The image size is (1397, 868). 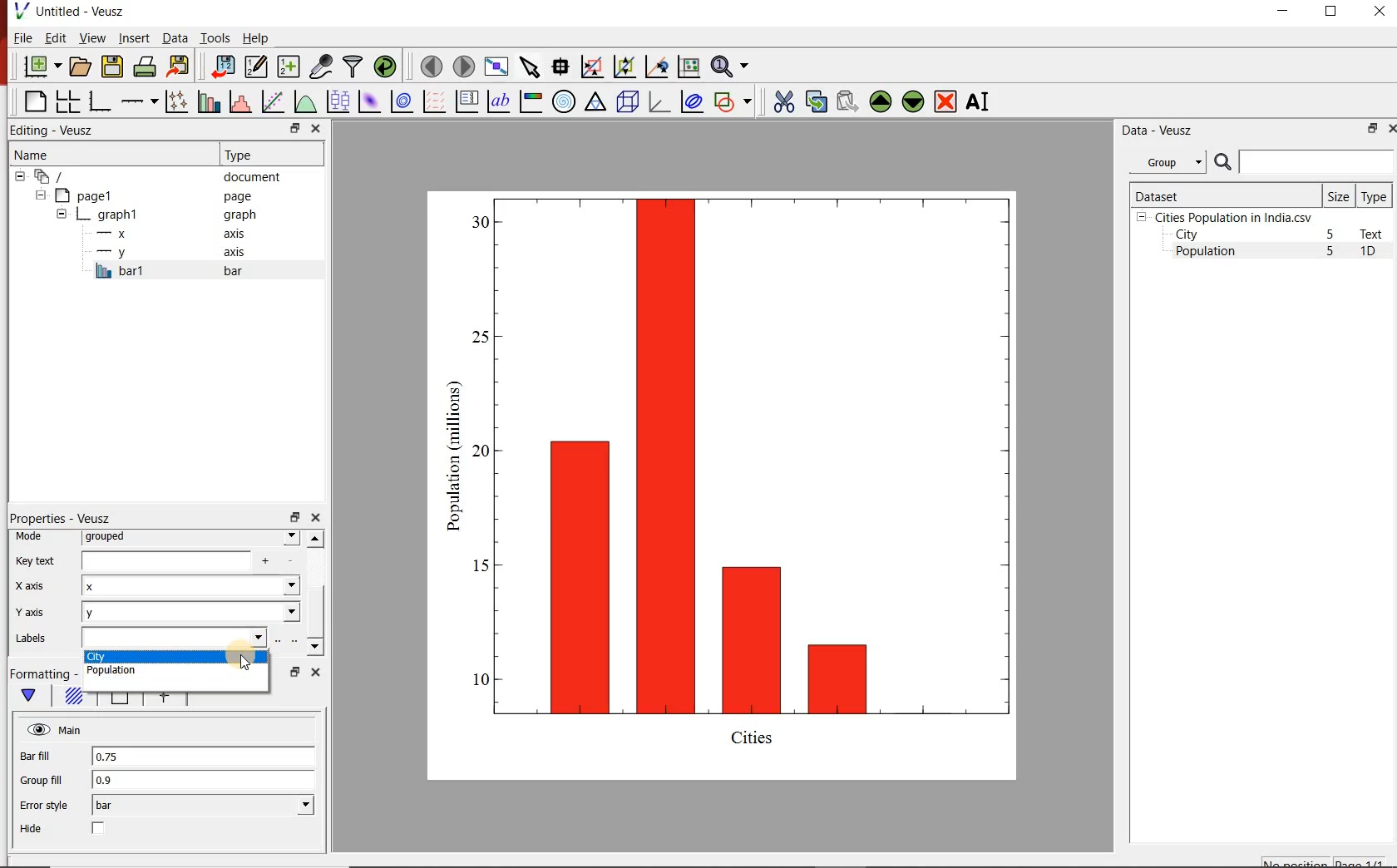 What do you see at coordinates (384, 67) in the screenshot?
I see `reload linked datasets` at bounding box center [384, 67].